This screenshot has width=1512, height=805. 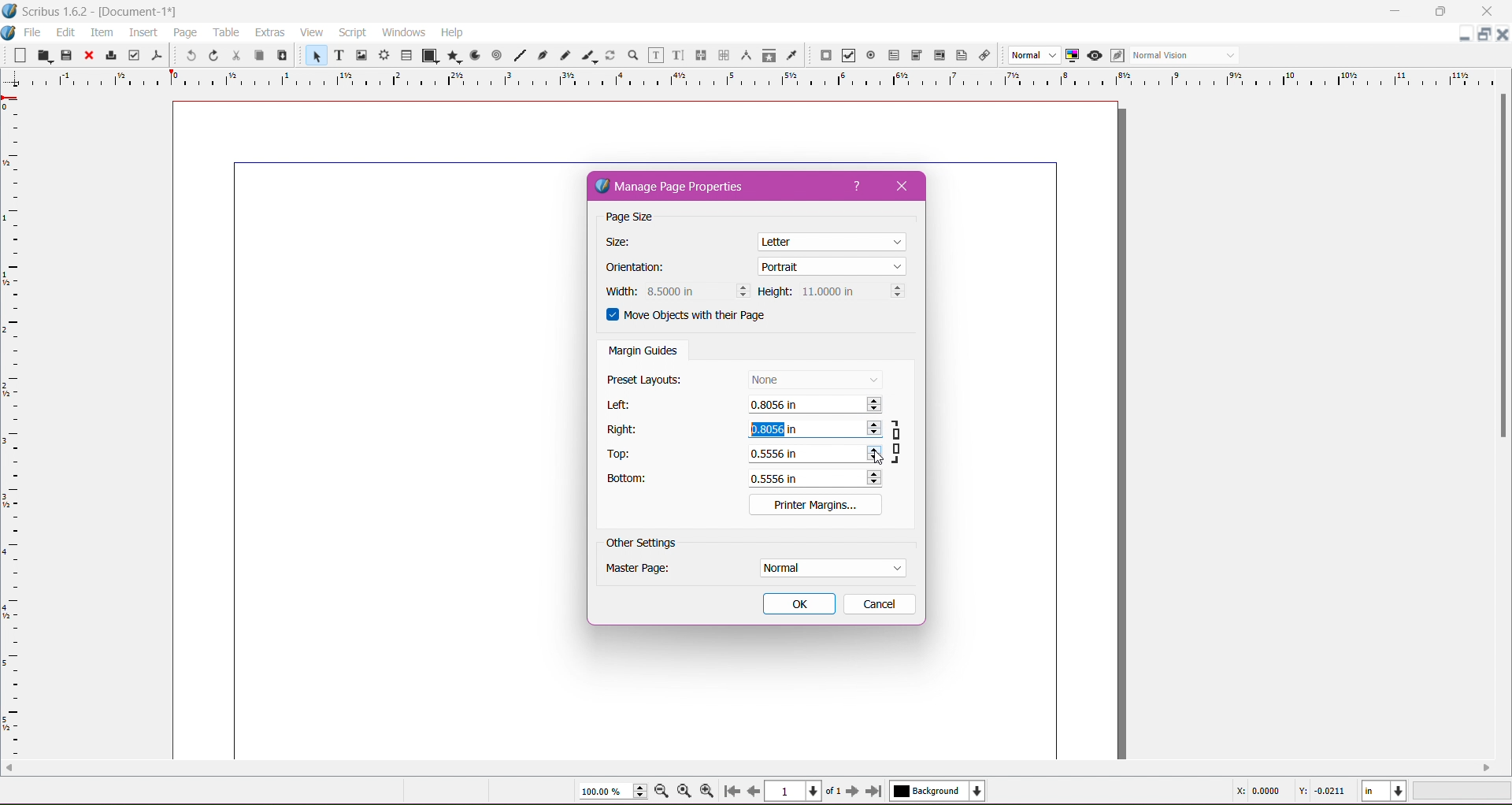 What do you see at coordinates (833, 240) in the screenshot?
I see `Set Page Size` at bounding box center [833, 240].